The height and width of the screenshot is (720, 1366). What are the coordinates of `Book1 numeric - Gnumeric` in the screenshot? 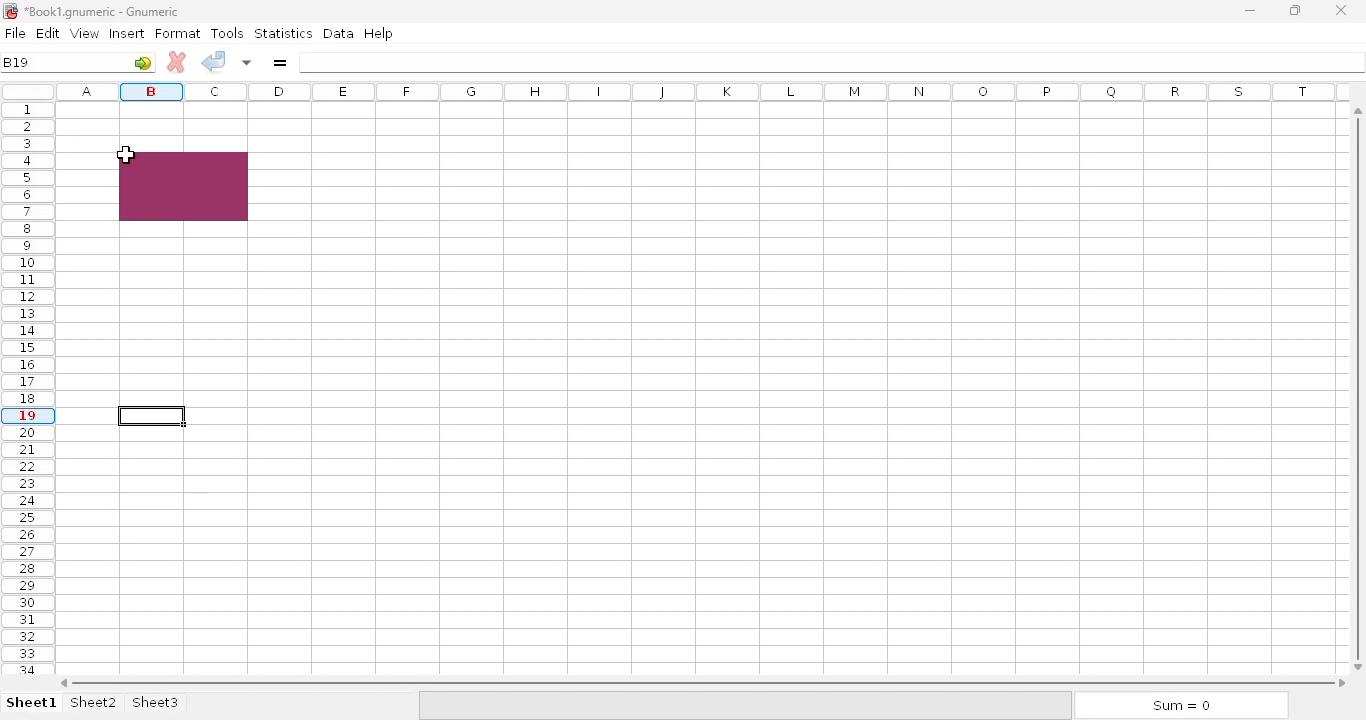 It's located at (102, 12).